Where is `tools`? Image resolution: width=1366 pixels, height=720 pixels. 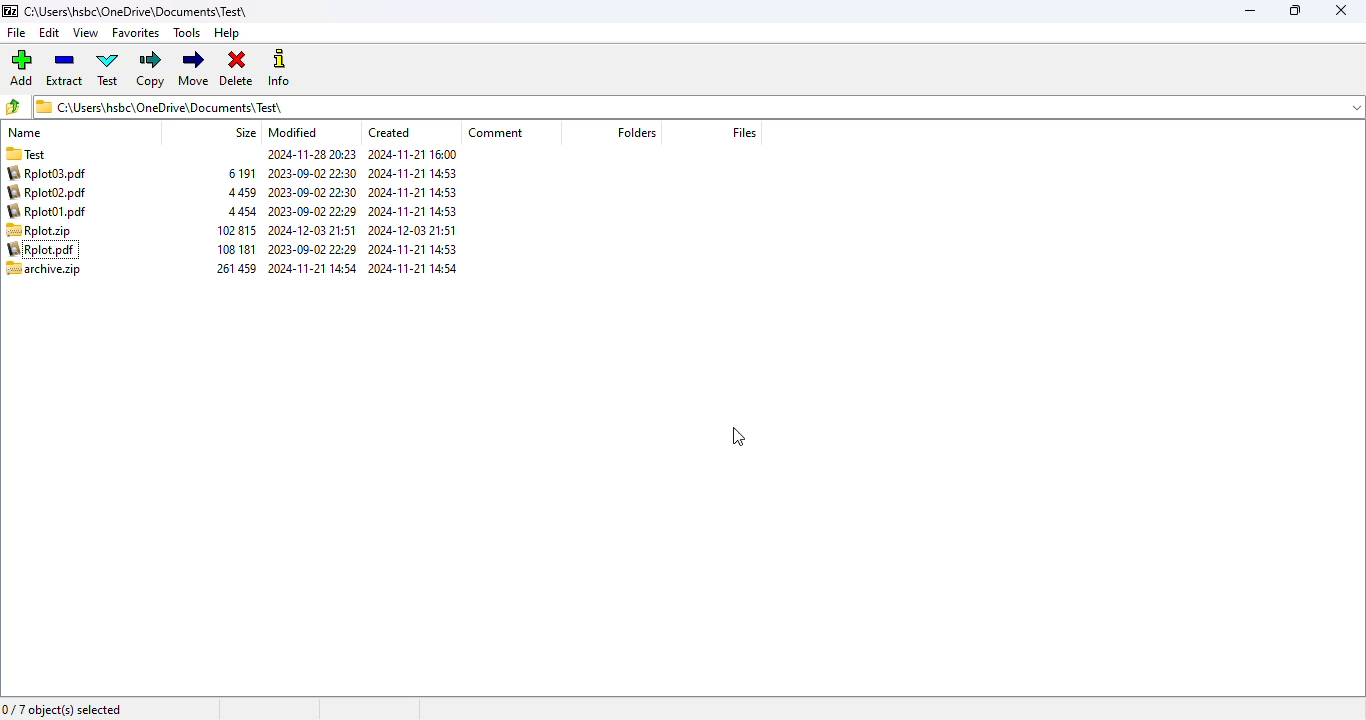
tools is located at coordinates (188, 33).